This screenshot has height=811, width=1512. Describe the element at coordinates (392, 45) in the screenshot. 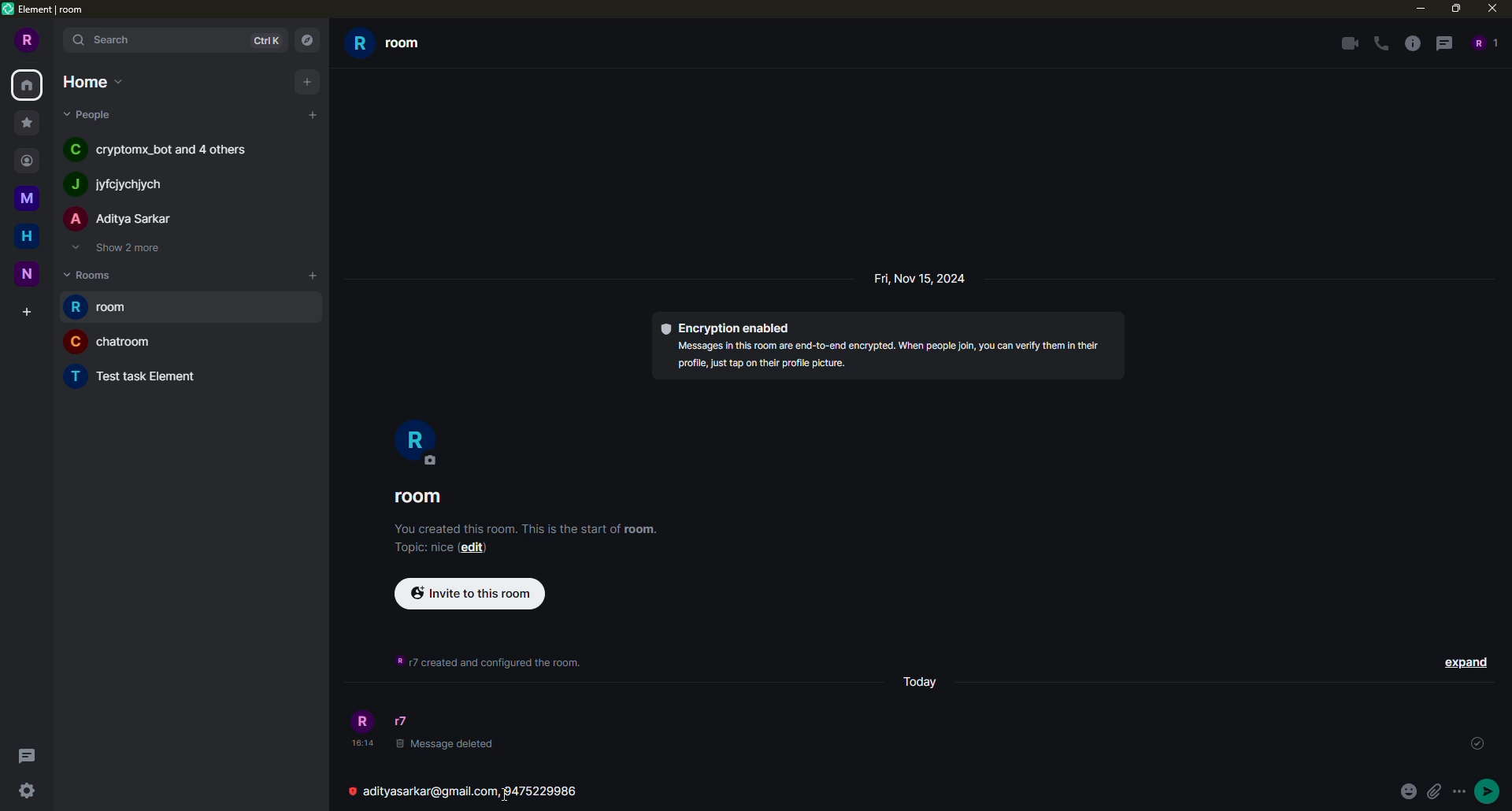

I see `room` at that location.